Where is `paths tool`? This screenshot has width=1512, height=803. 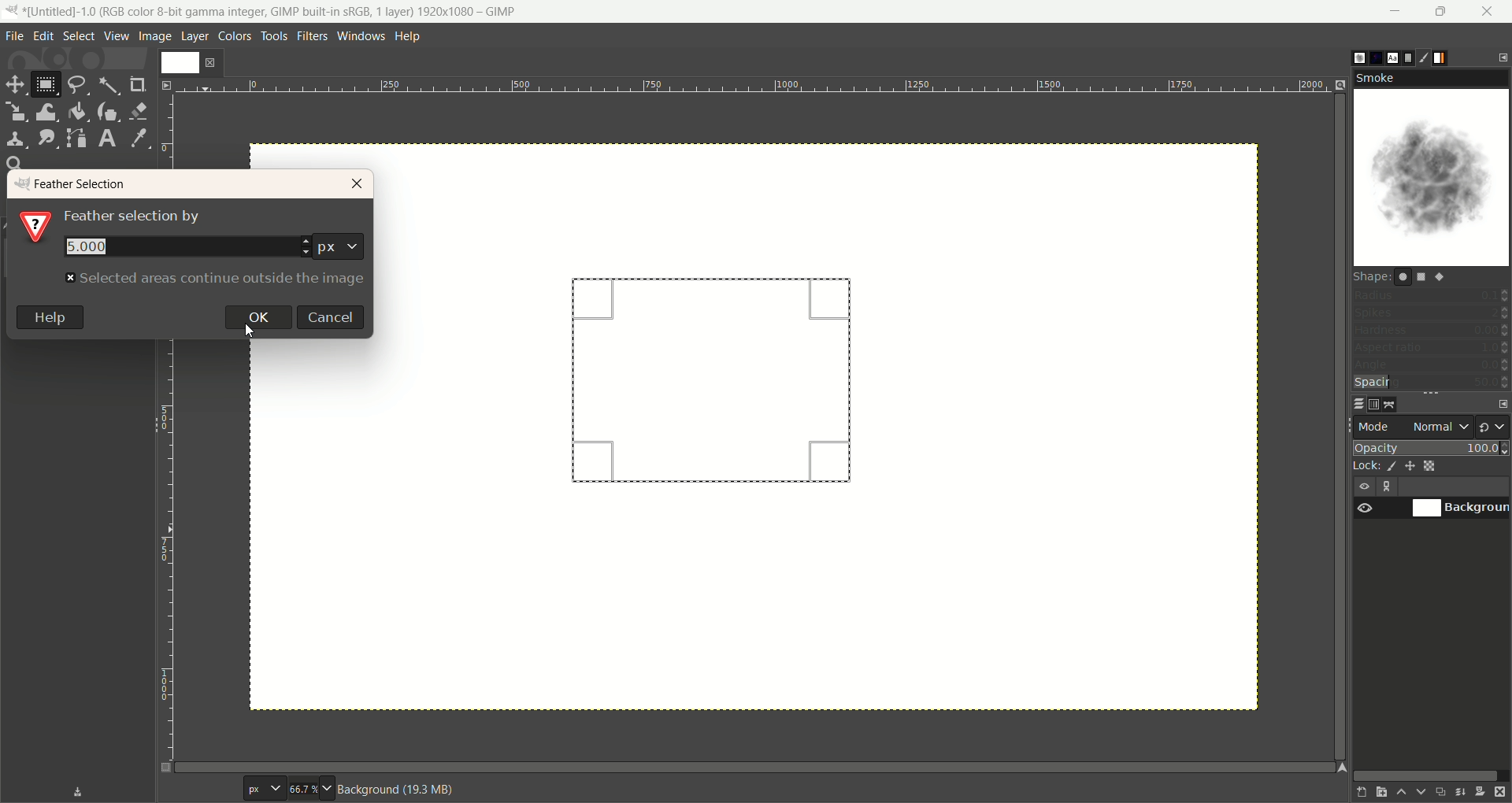 paths tool is located at coordinates (76, 138).